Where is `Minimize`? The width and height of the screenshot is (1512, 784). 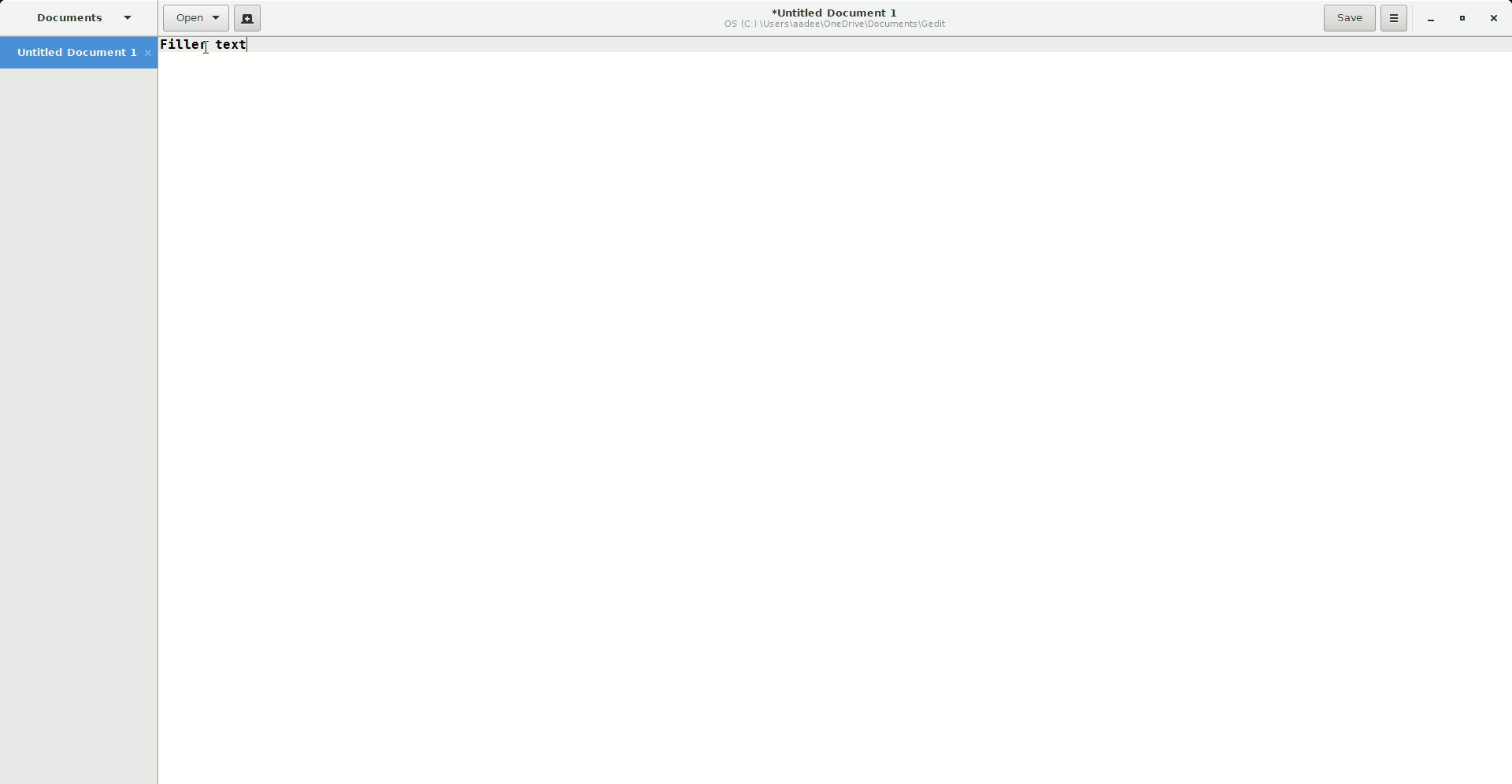 Minimize is located at coordinates (1430, 20).